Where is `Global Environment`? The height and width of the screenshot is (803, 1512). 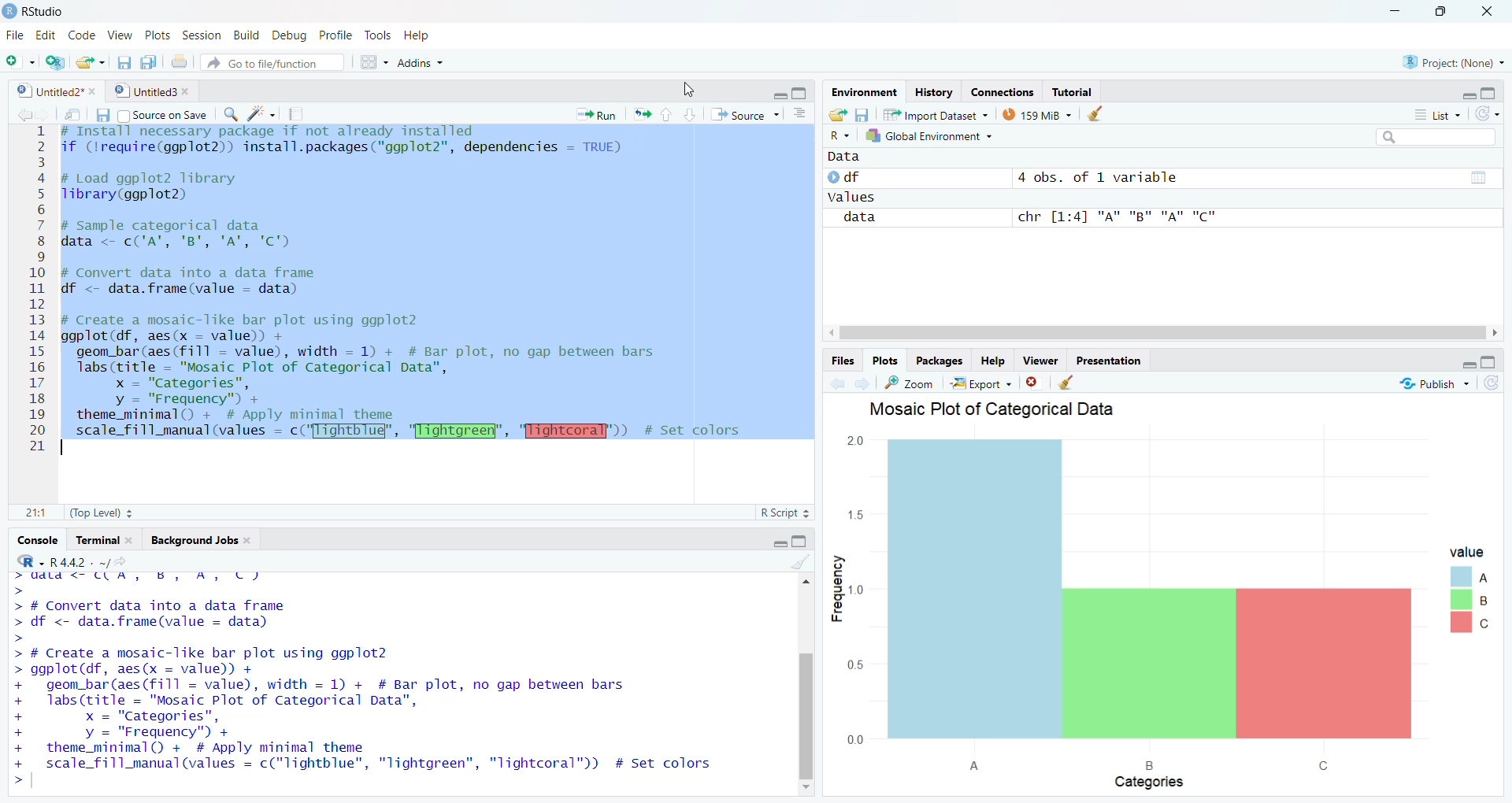
Global Environment is located at coordinates (928, 135).